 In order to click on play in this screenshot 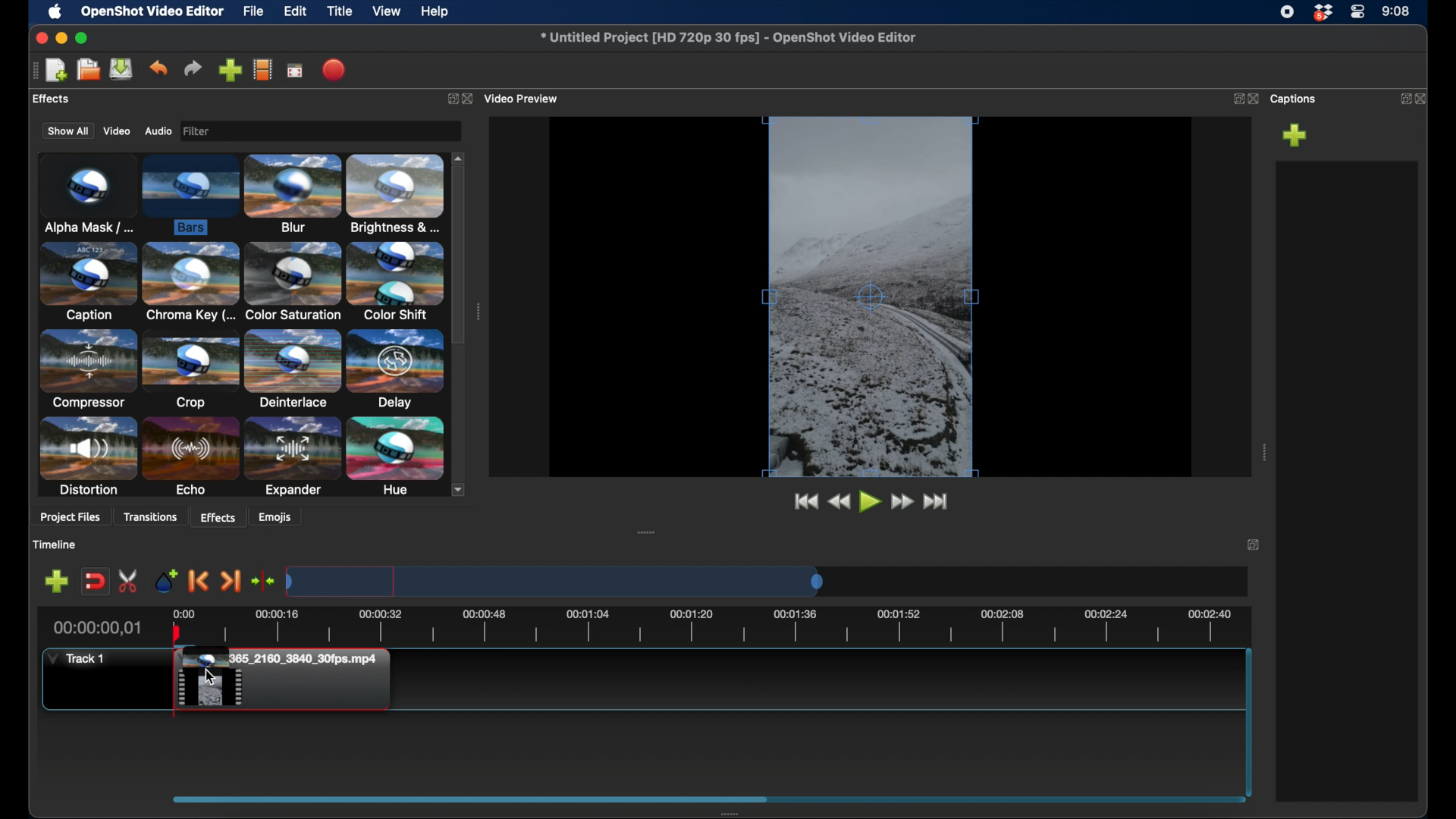, I will do `click(869, 501)`.